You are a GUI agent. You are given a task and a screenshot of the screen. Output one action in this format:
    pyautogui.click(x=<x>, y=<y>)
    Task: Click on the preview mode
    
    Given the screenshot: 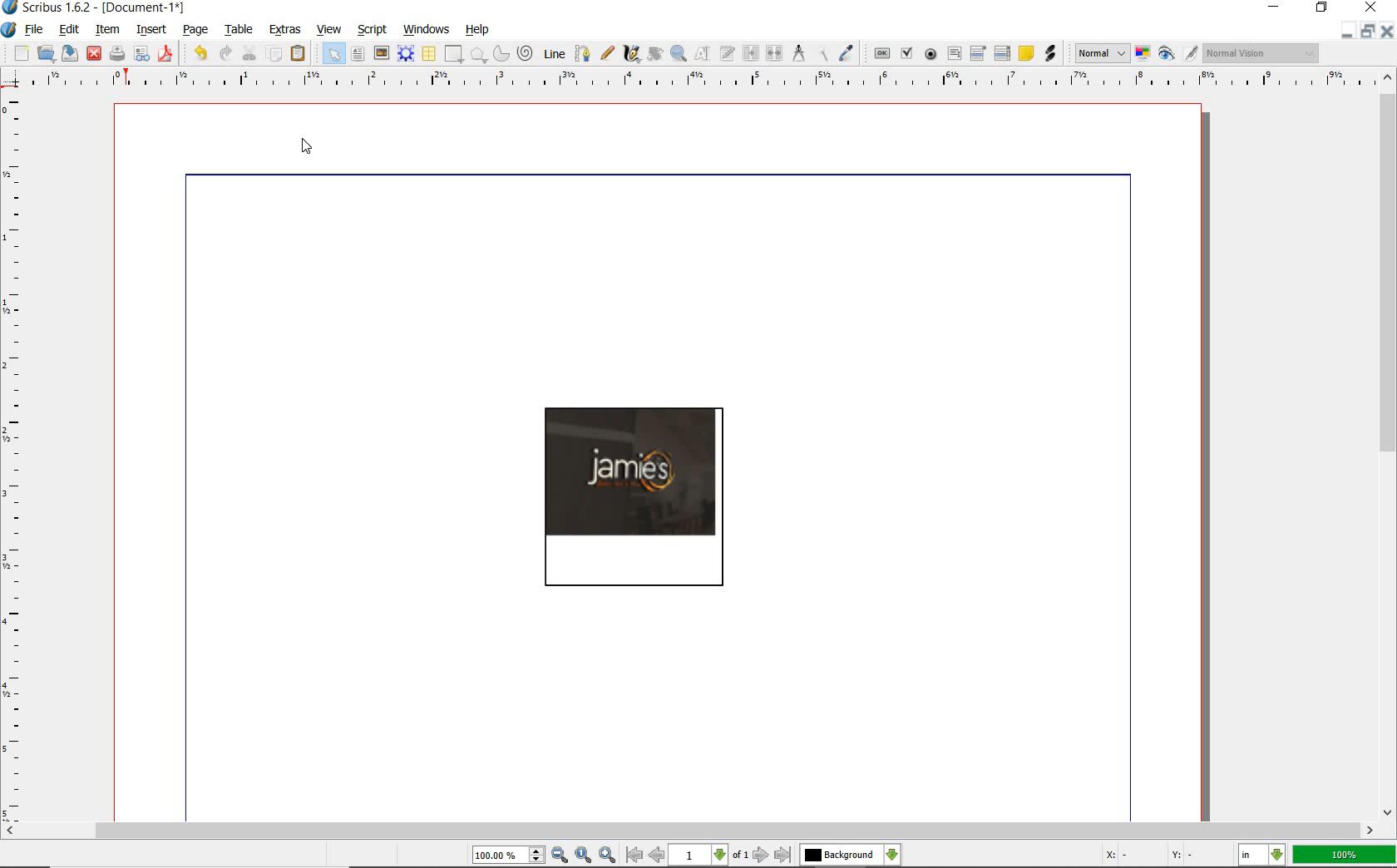 What is the action you would take?
    pyautogui.click(x=1177, y=52)
    